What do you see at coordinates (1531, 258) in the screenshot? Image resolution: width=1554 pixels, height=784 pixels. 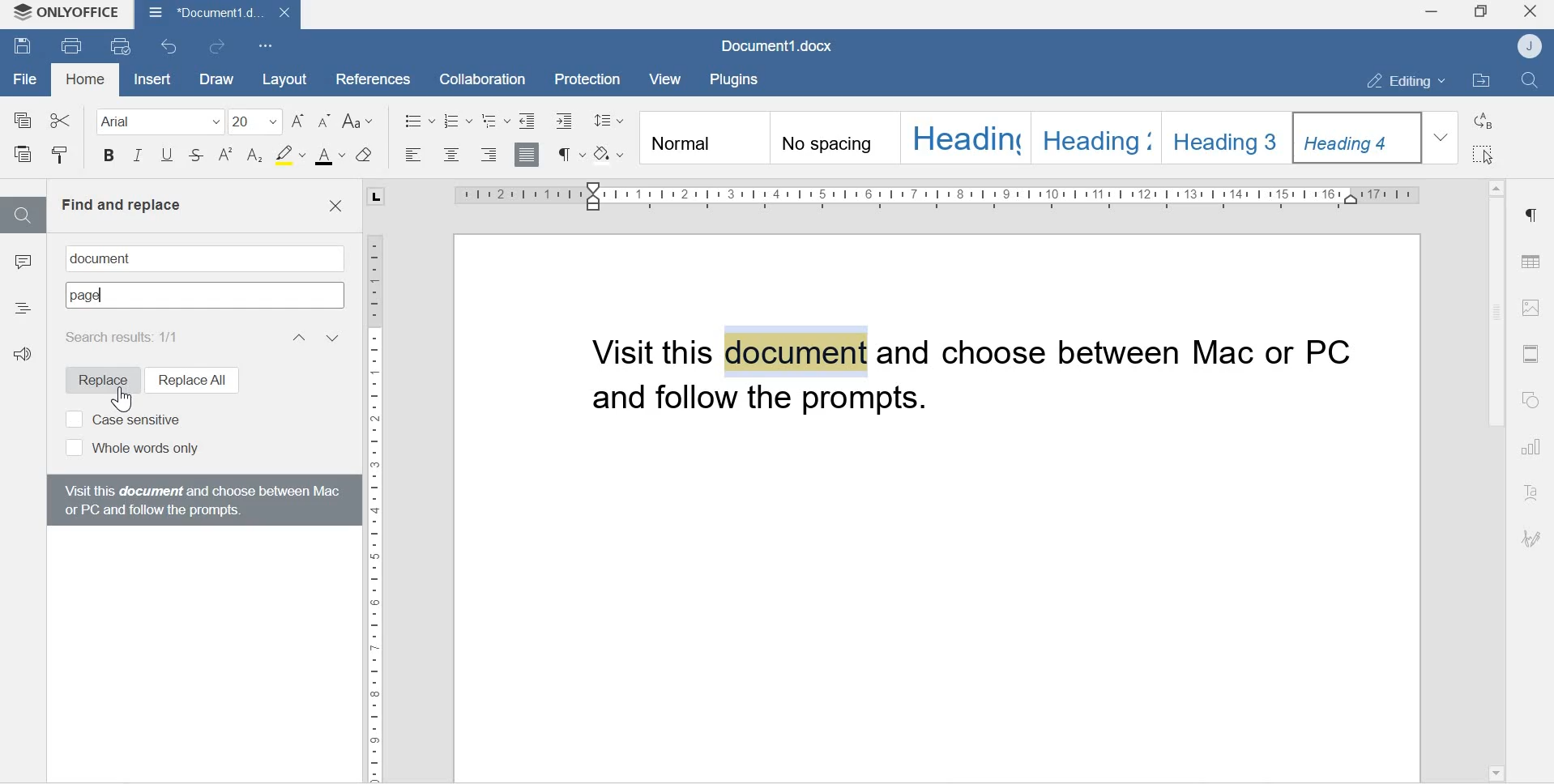 I see `Table` at bounding box center [1531, 258].